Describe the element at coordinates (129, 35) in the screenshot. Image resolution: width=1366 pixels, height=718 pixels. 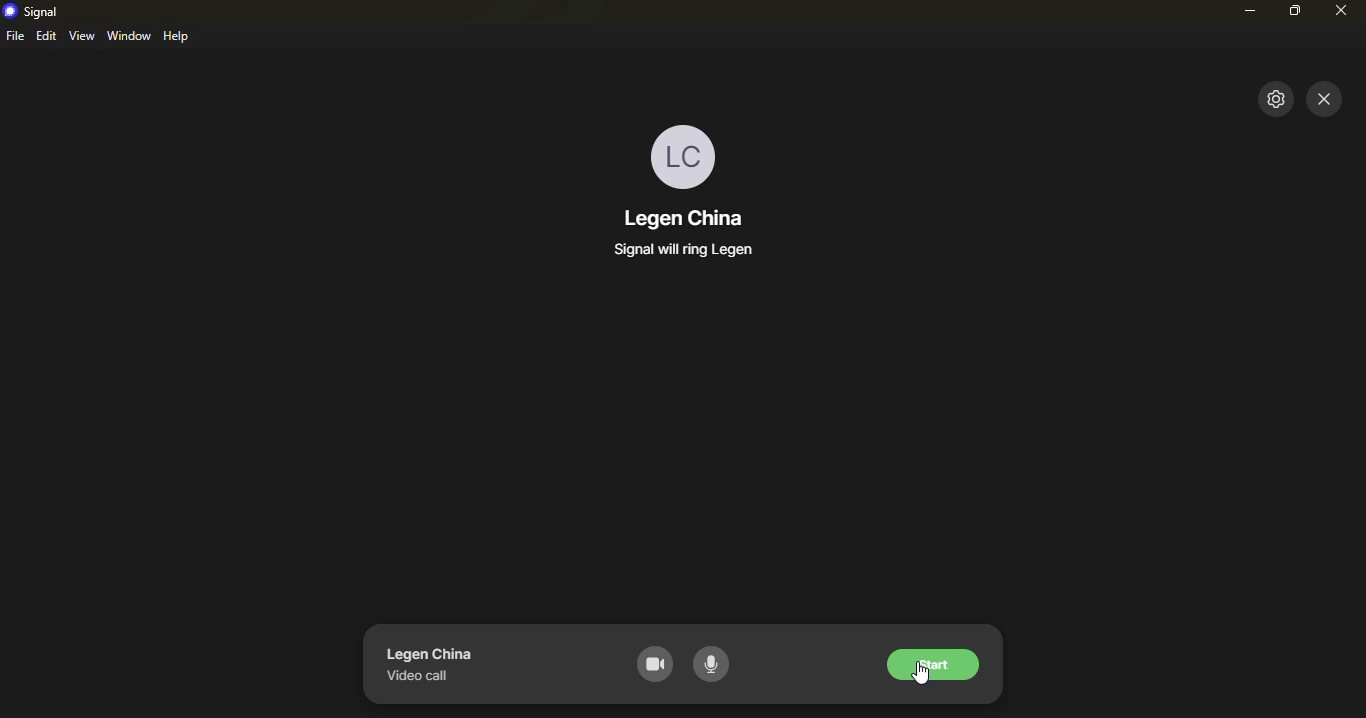
I see `window` at that location.